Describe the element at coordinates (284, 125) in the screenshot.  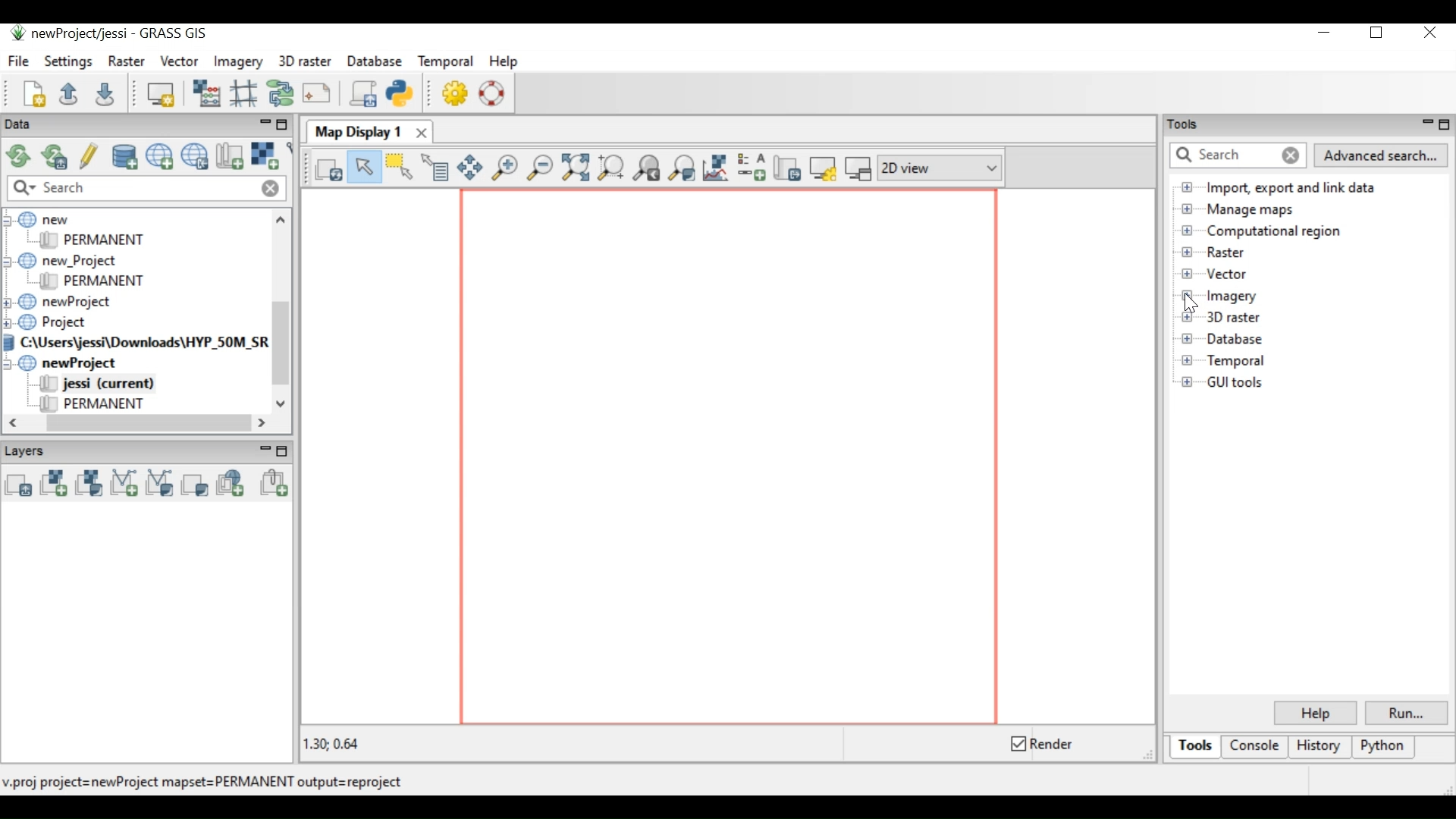
I see `Restore` at that location.